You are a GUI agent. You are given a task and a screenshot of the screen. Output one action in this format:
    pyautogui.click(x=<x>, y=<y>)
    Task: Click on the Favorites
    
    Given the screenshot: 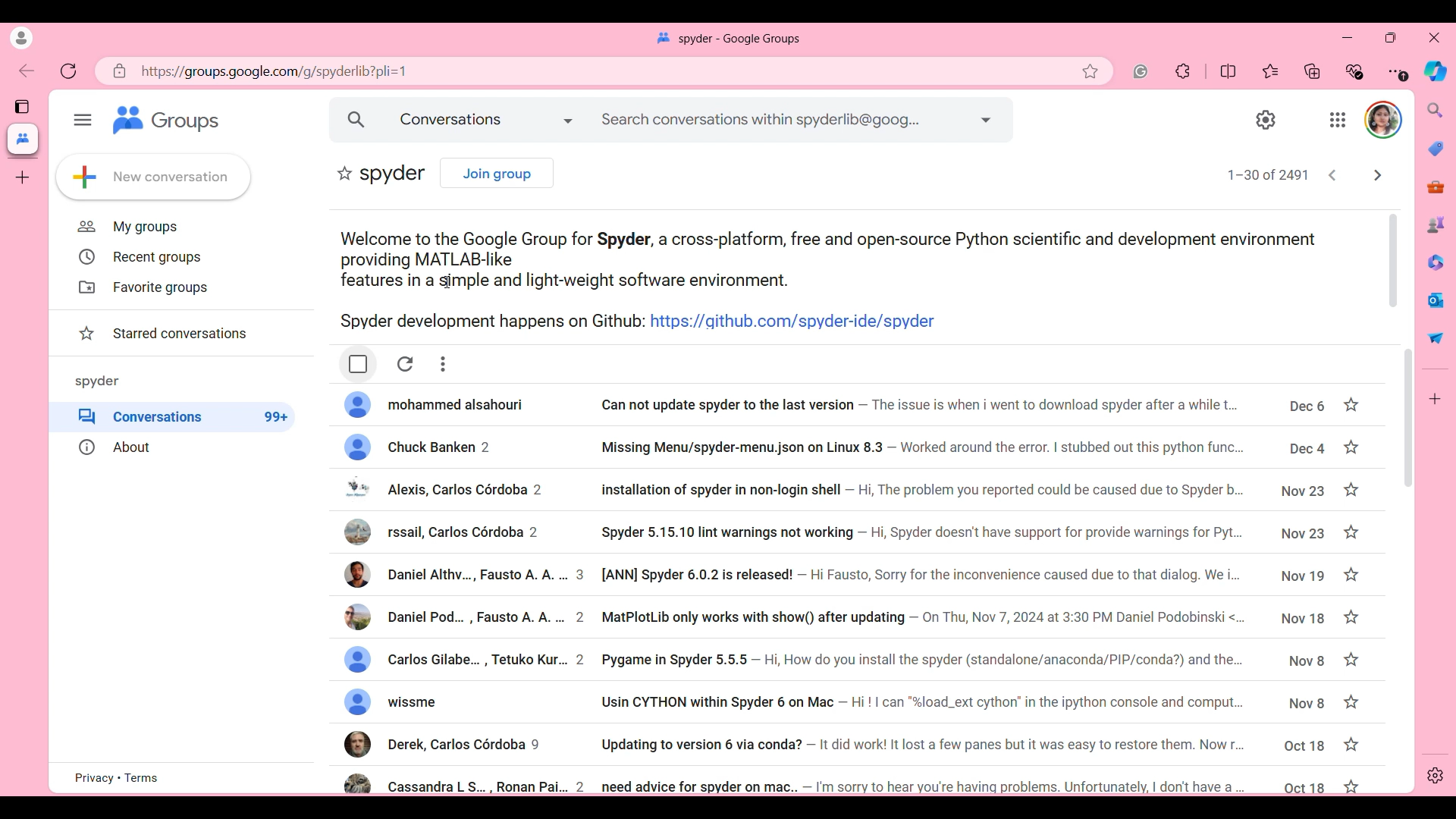 What is the action you would take?
    pyautogui.click(x=1270, y=71)
    